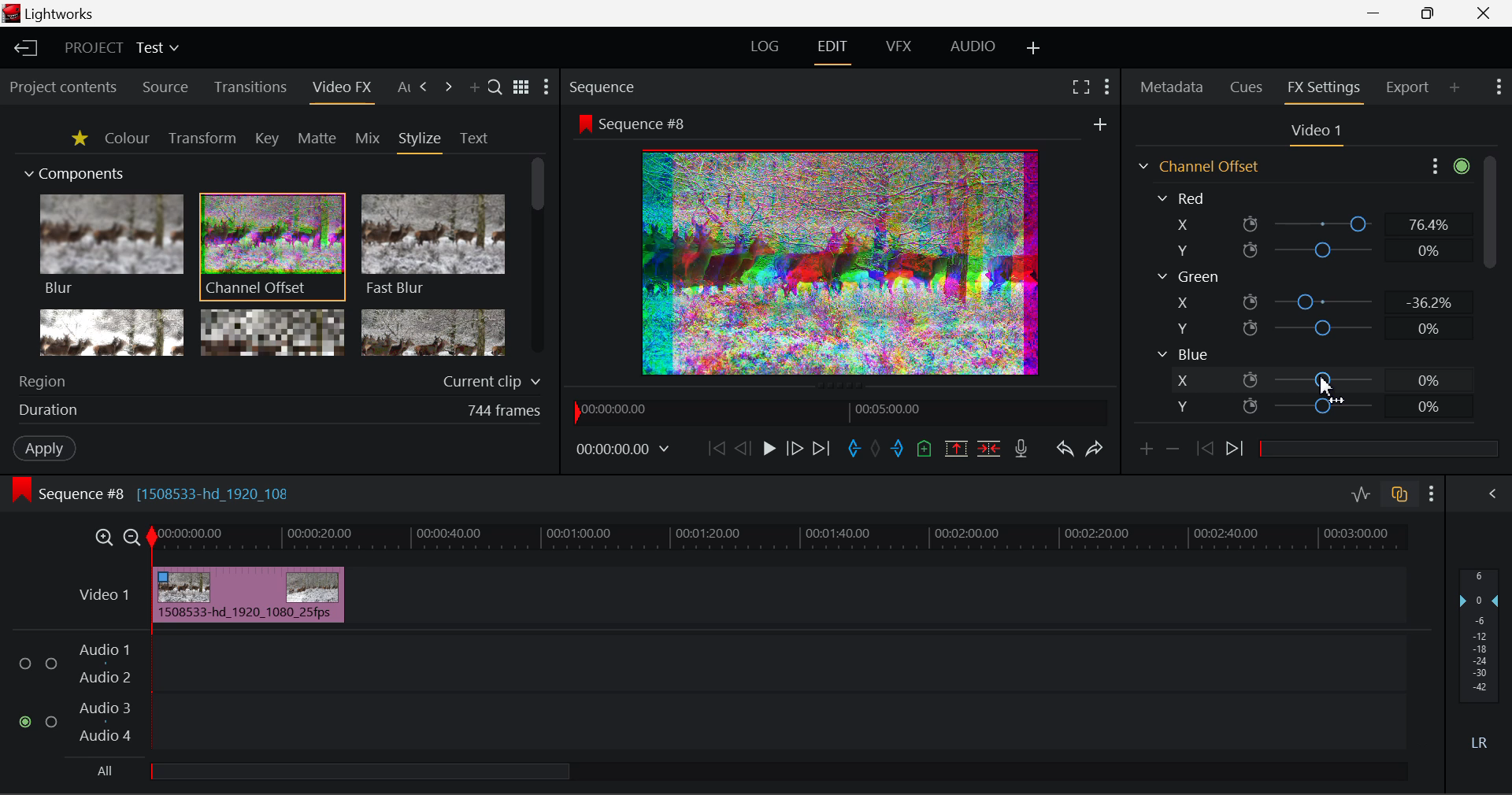  Describe the element at coordinates (1184, 197) in the screenshot. I see `Red` at that location.